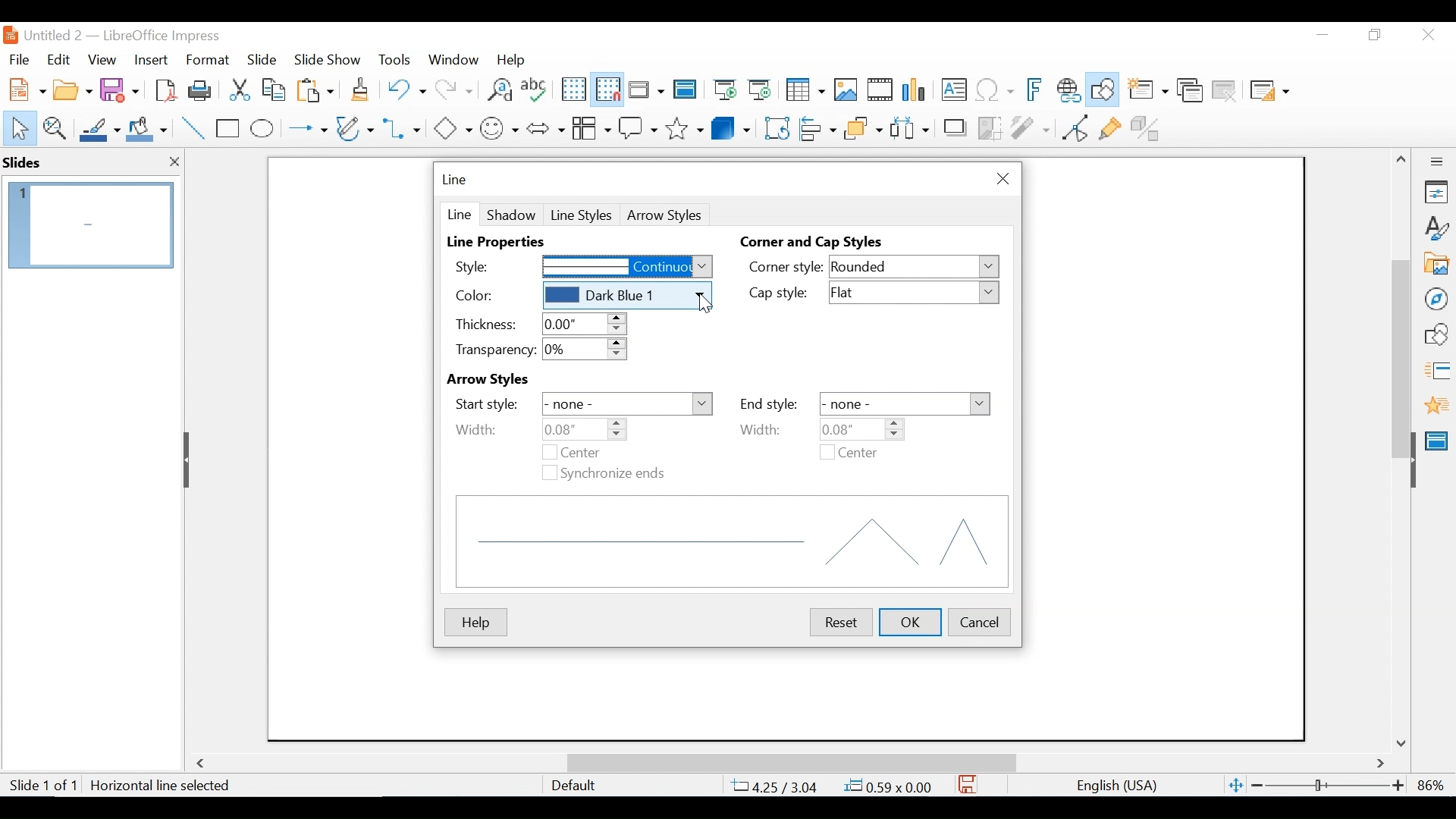 This screenshot has height=819, width=1456. What do you see at coordinates (667, 215) in the screenshot?
I see `Arrow Style` at bounding box center [667, 215].